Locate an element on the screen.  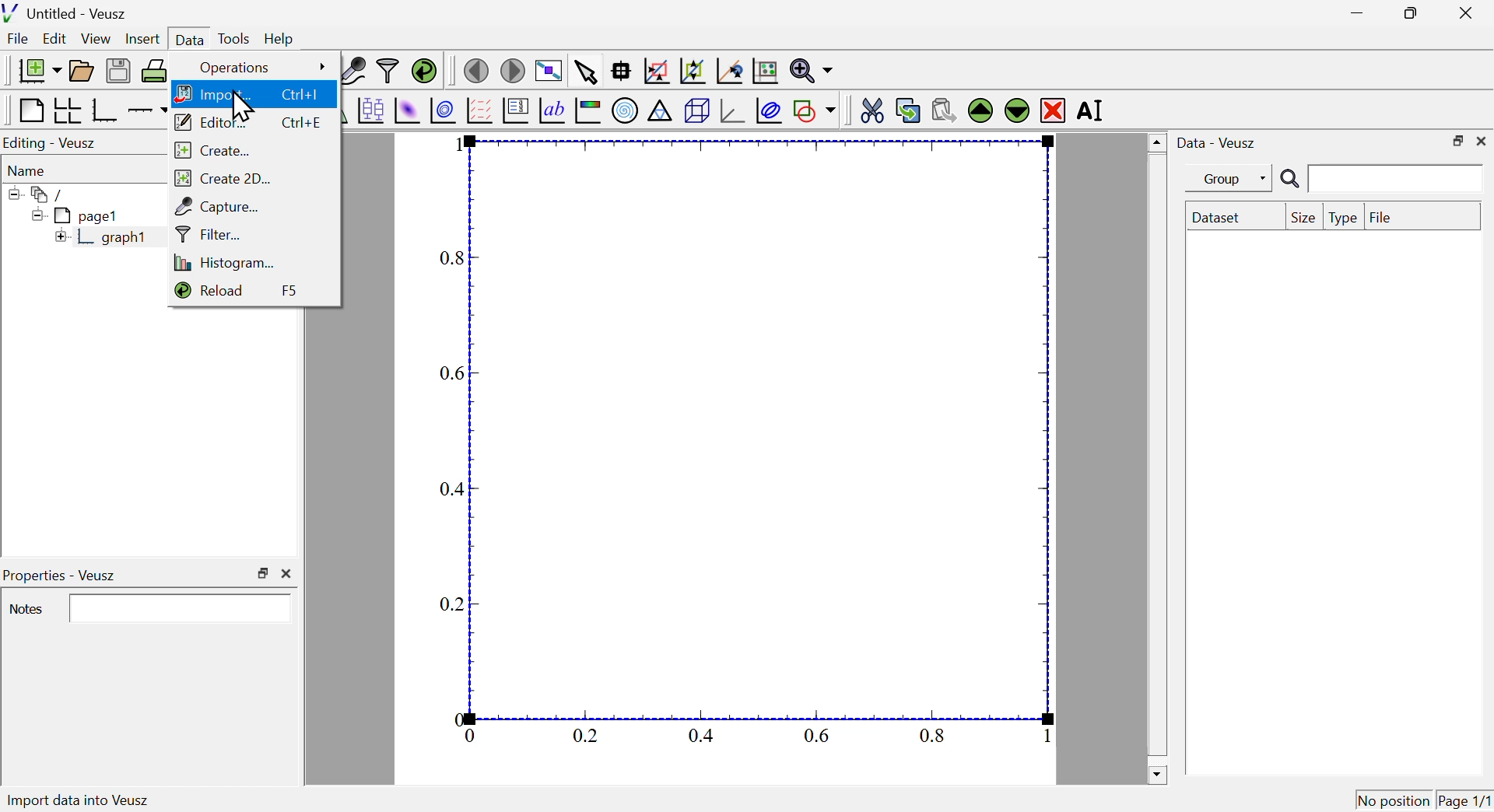
0.2 is located at coordinates (452, 606).